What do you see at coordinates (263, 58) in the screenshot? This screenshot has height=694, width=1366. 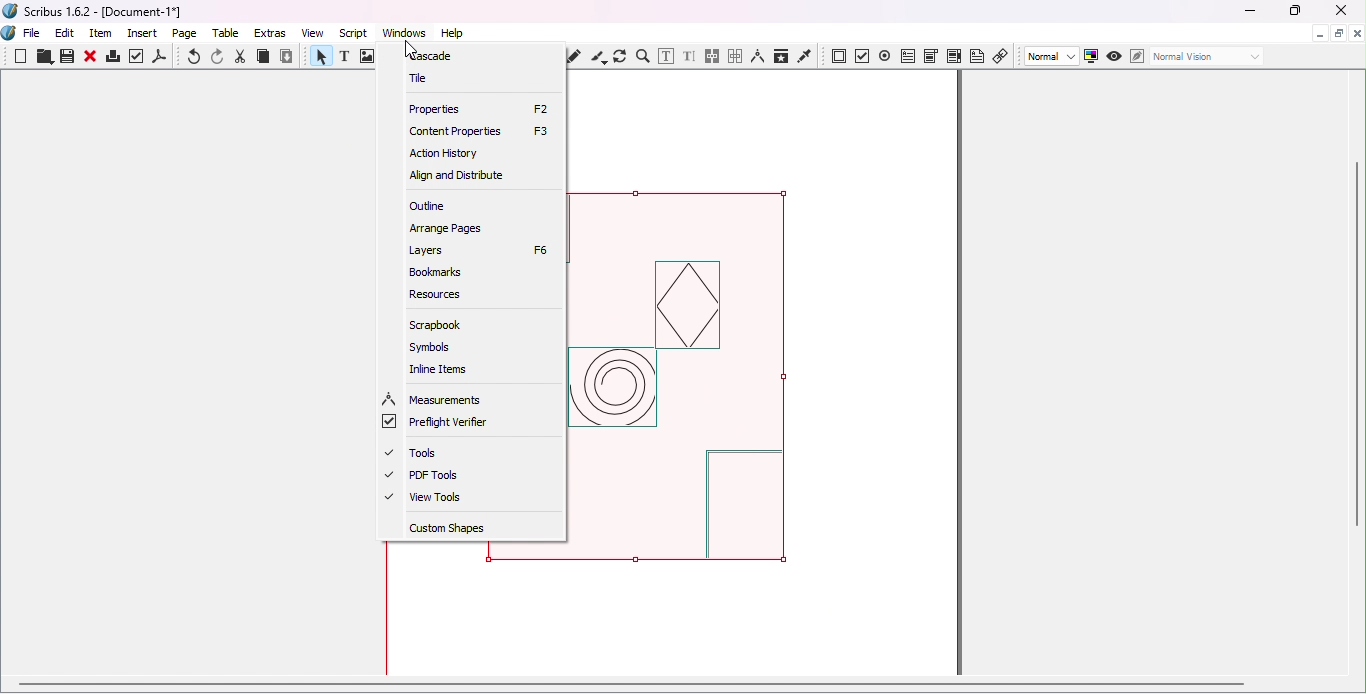 I see `Copy` at bounding box center [263, 58].